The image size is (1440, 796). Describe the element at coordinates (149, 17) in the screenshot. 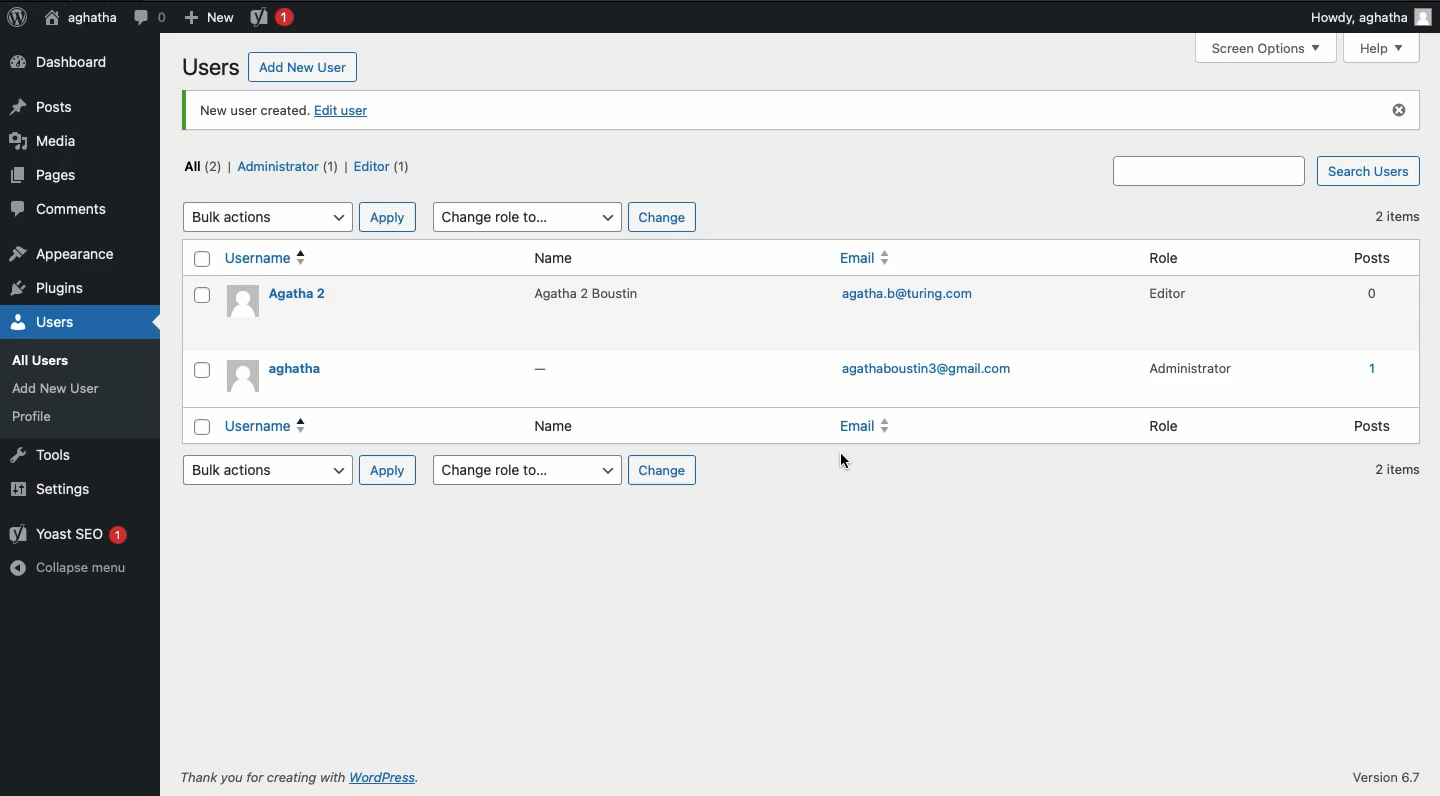

I see `Comment` at that location.